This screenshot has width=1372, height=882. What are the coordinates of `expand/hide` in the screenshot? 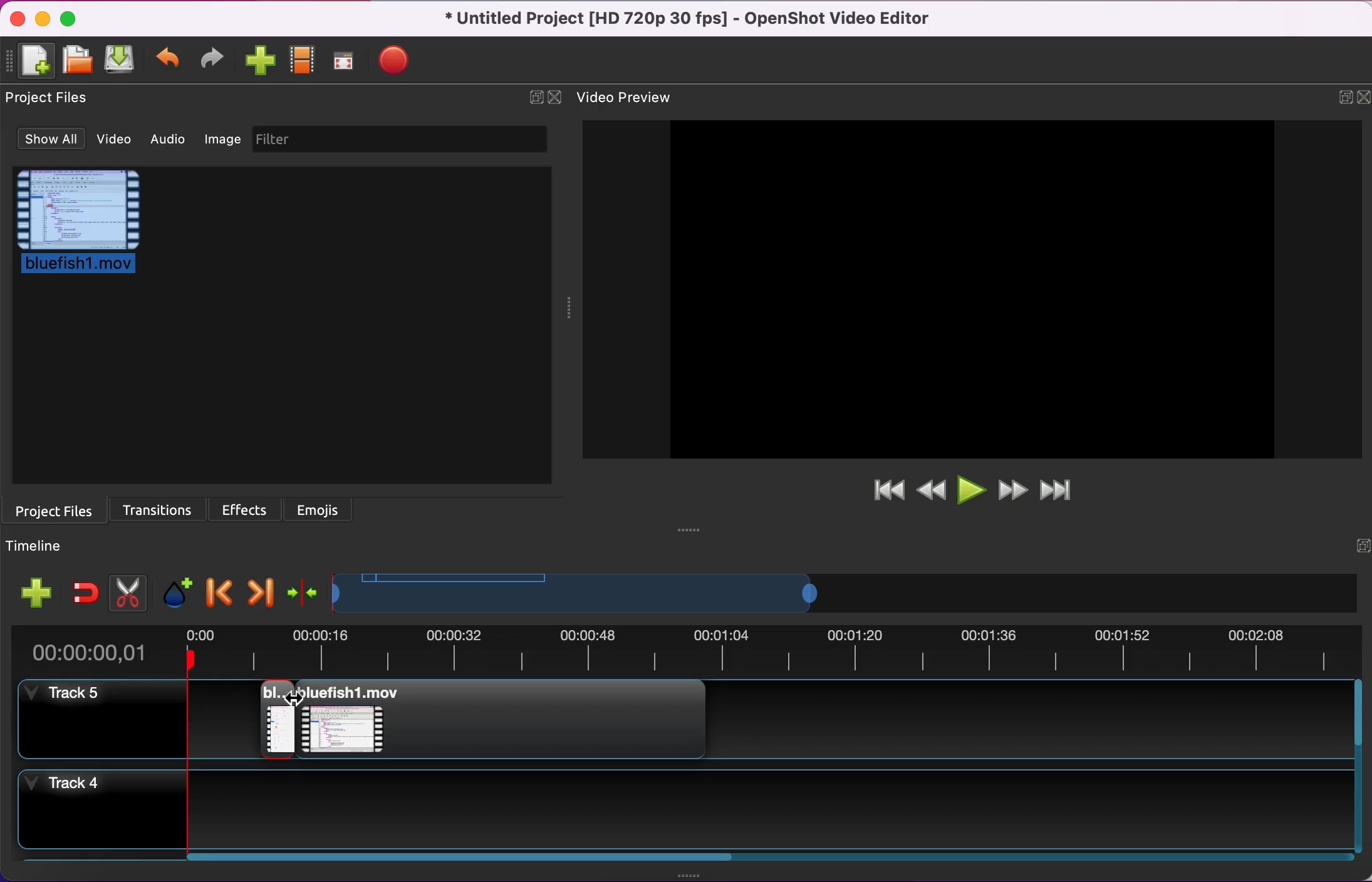 It's located at (1338, 97).